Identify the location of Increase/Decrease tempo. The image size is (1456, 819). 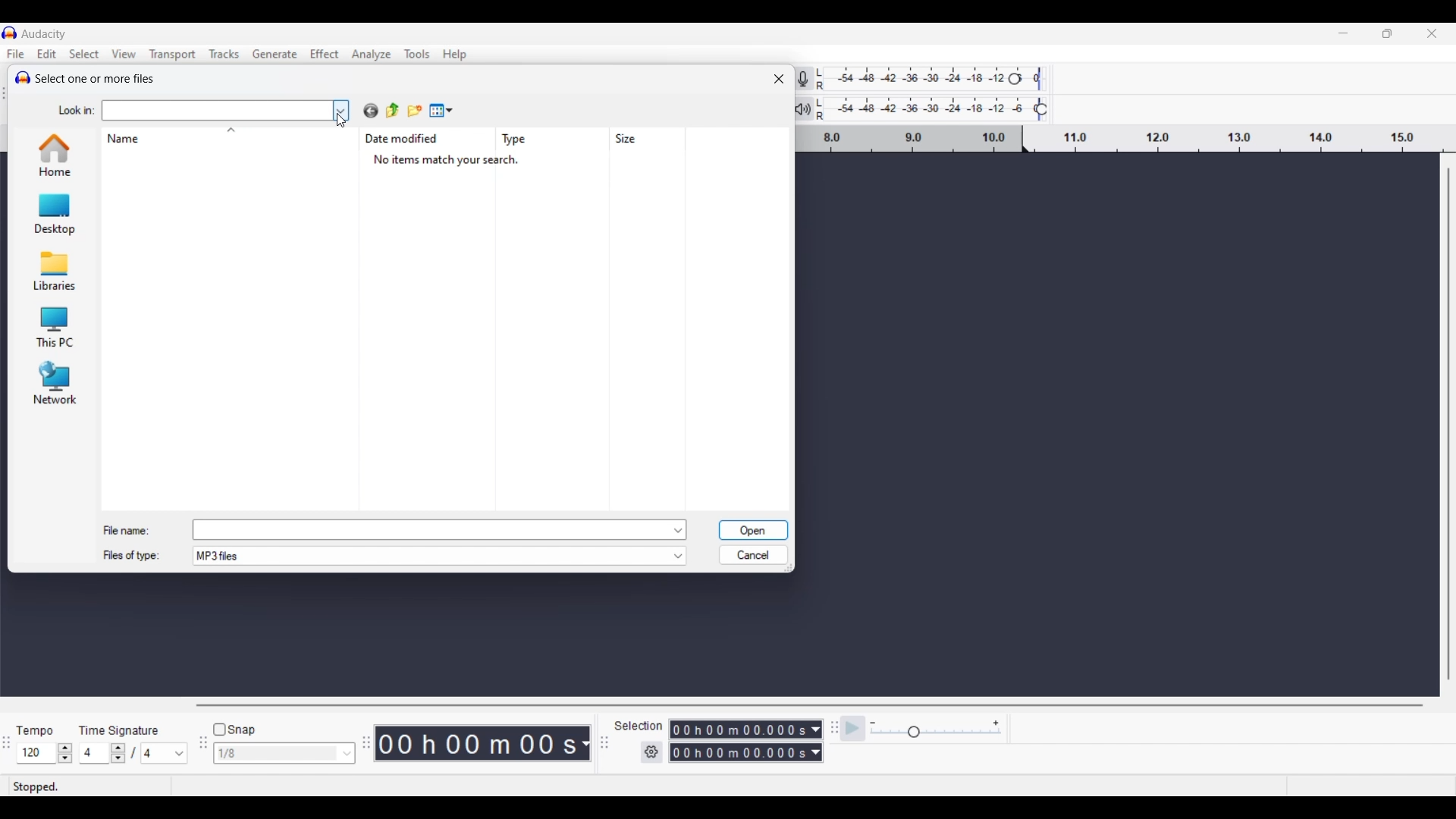
(65, 753).